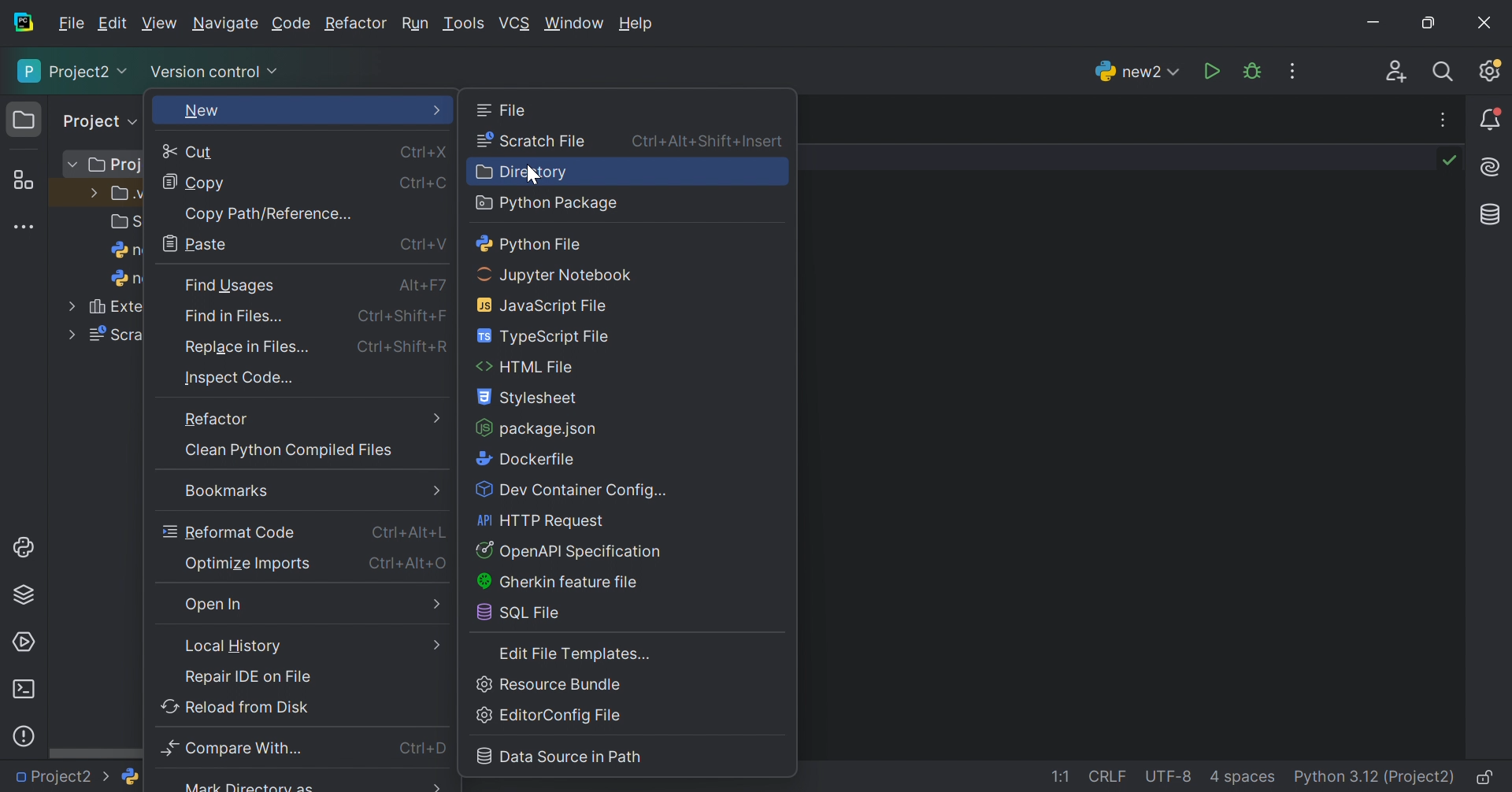  I want to click on Database, so click(1492, 216).